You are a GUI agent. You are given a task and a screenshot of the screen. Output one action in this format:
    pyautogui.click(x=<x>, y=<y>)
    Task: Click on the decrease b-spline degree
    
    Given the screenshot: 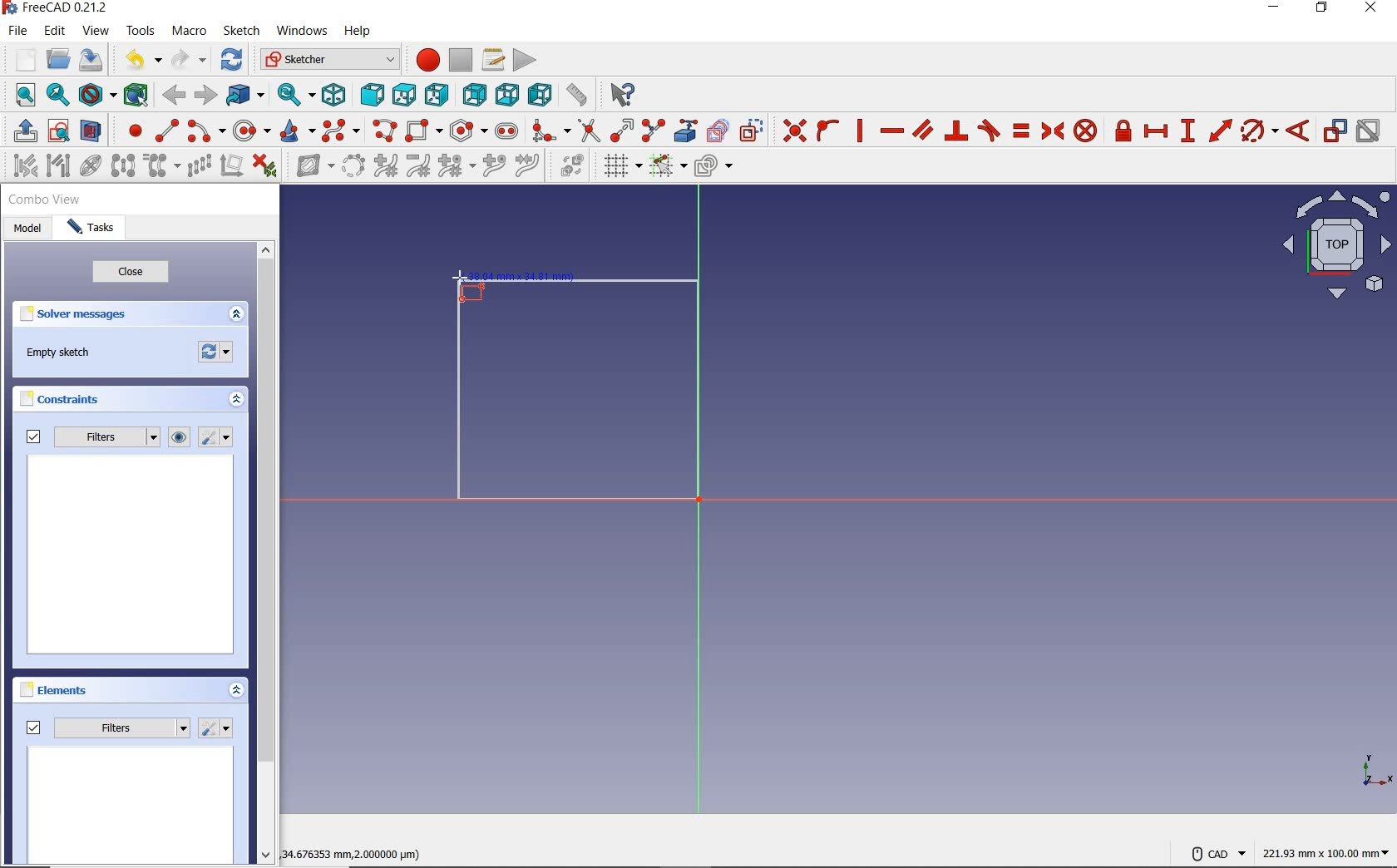 What is the action you would take?
    pyautogui.click(x=420, y=167)
    